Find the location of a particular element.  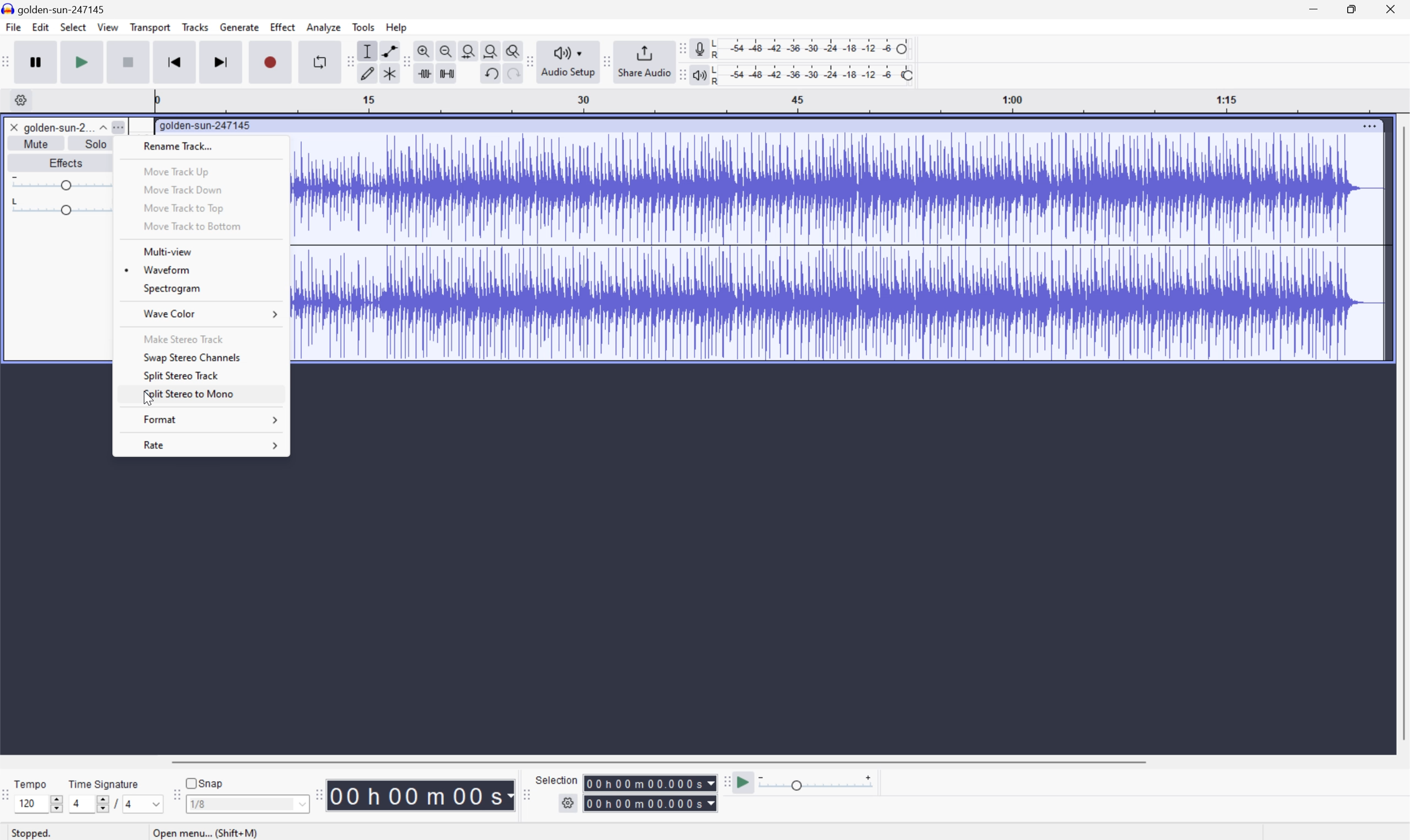

Playback meter is located at coordinates (699, 74).